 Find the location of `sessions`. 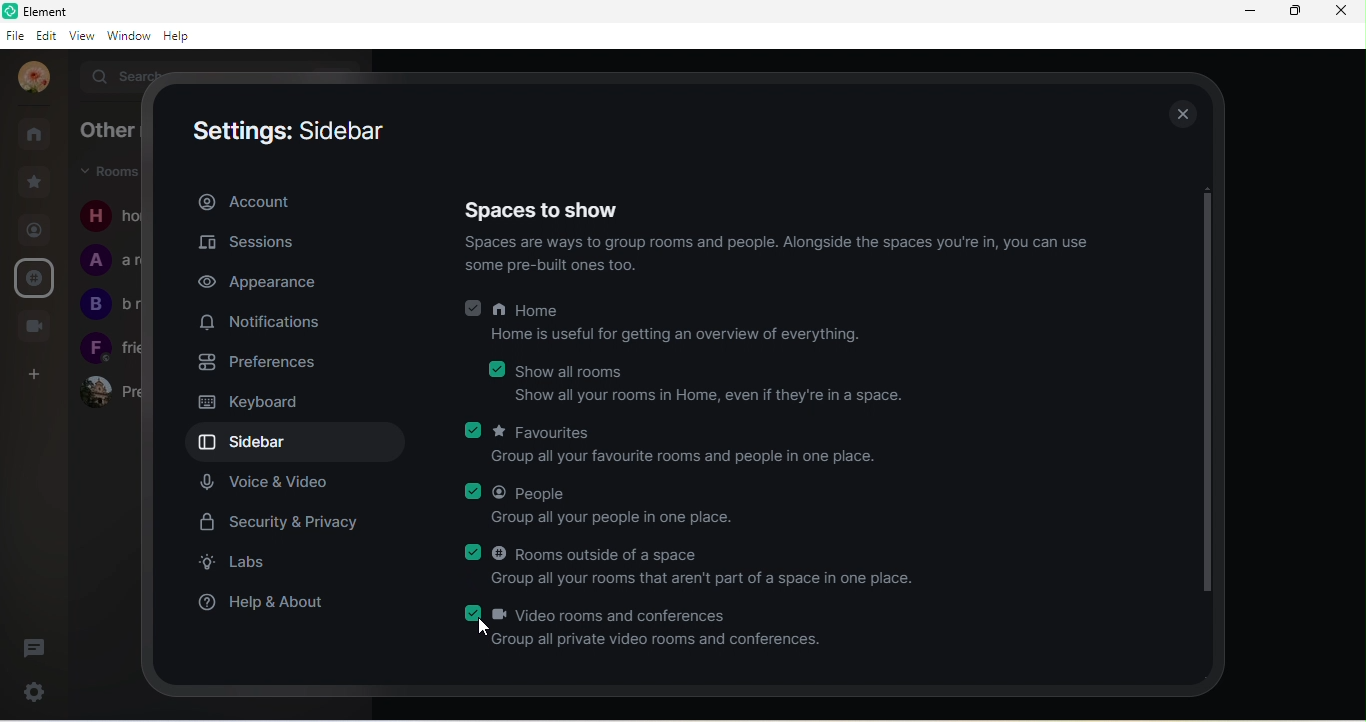

sessions is located at coordinates (257, 244).